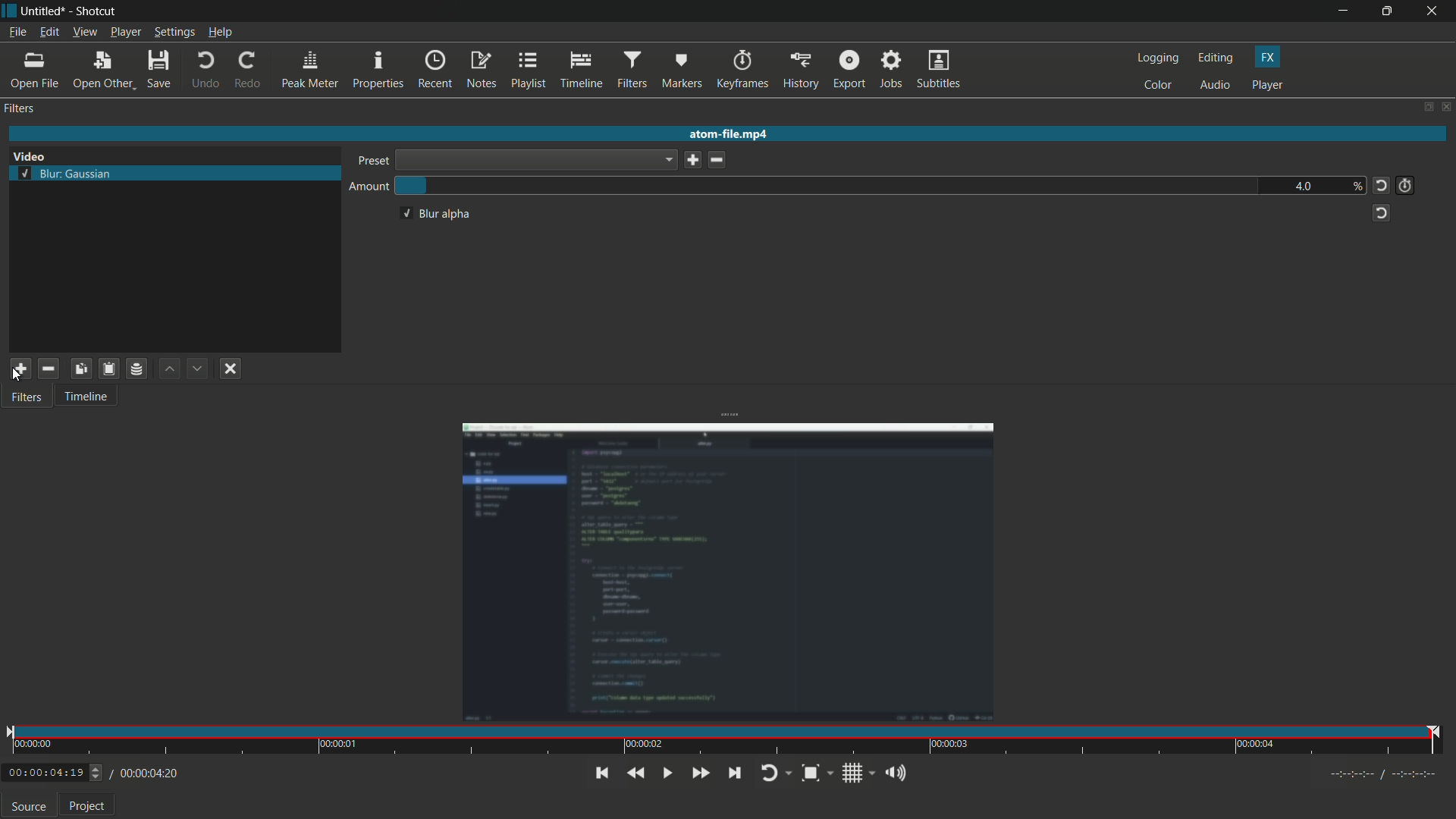 The image size is (1456, 819). I want to click on filters, so click(20, 109).